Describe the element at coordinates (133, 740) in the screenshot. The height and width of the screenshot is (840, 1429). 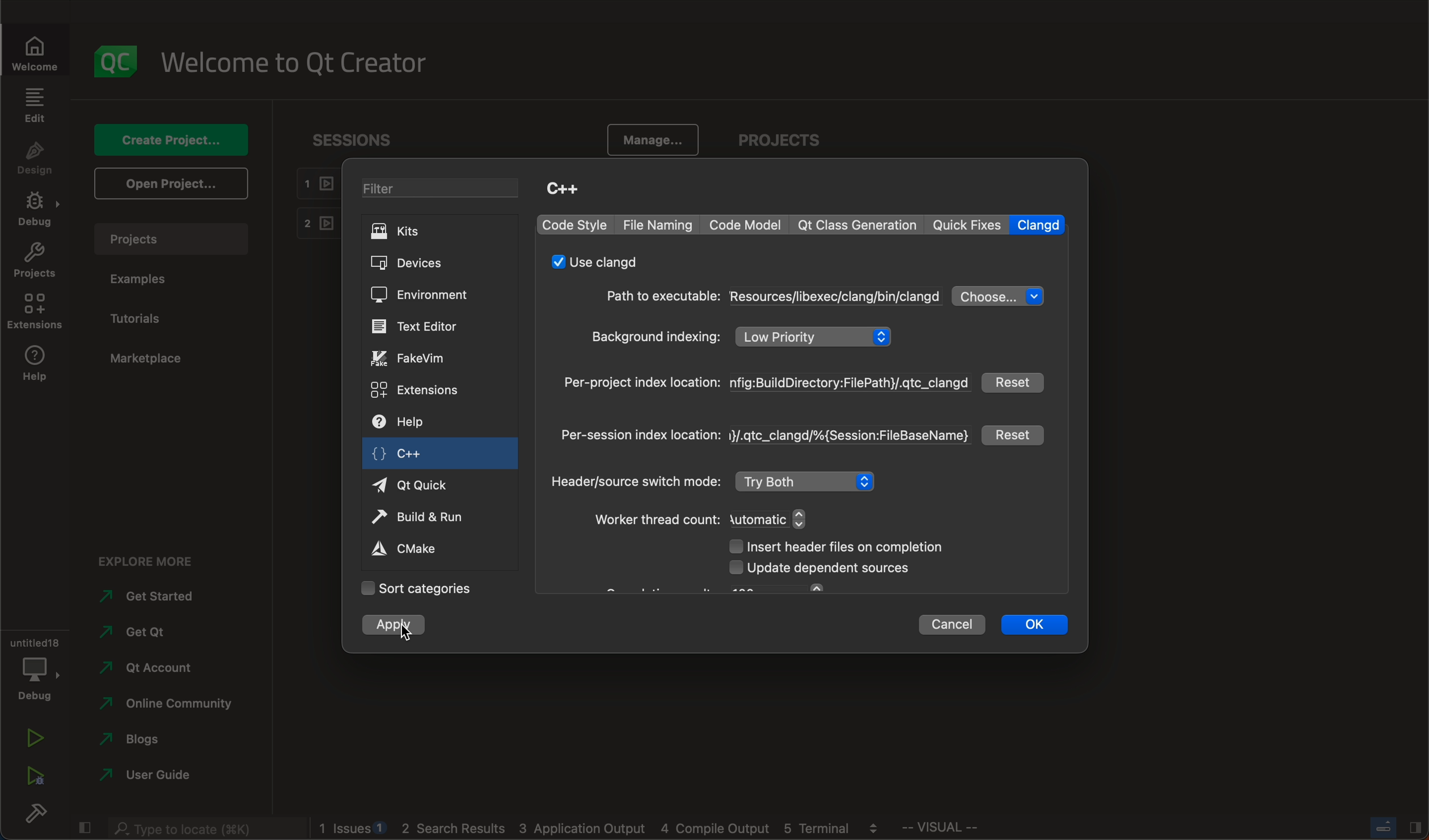
I see `blogs` at that location.